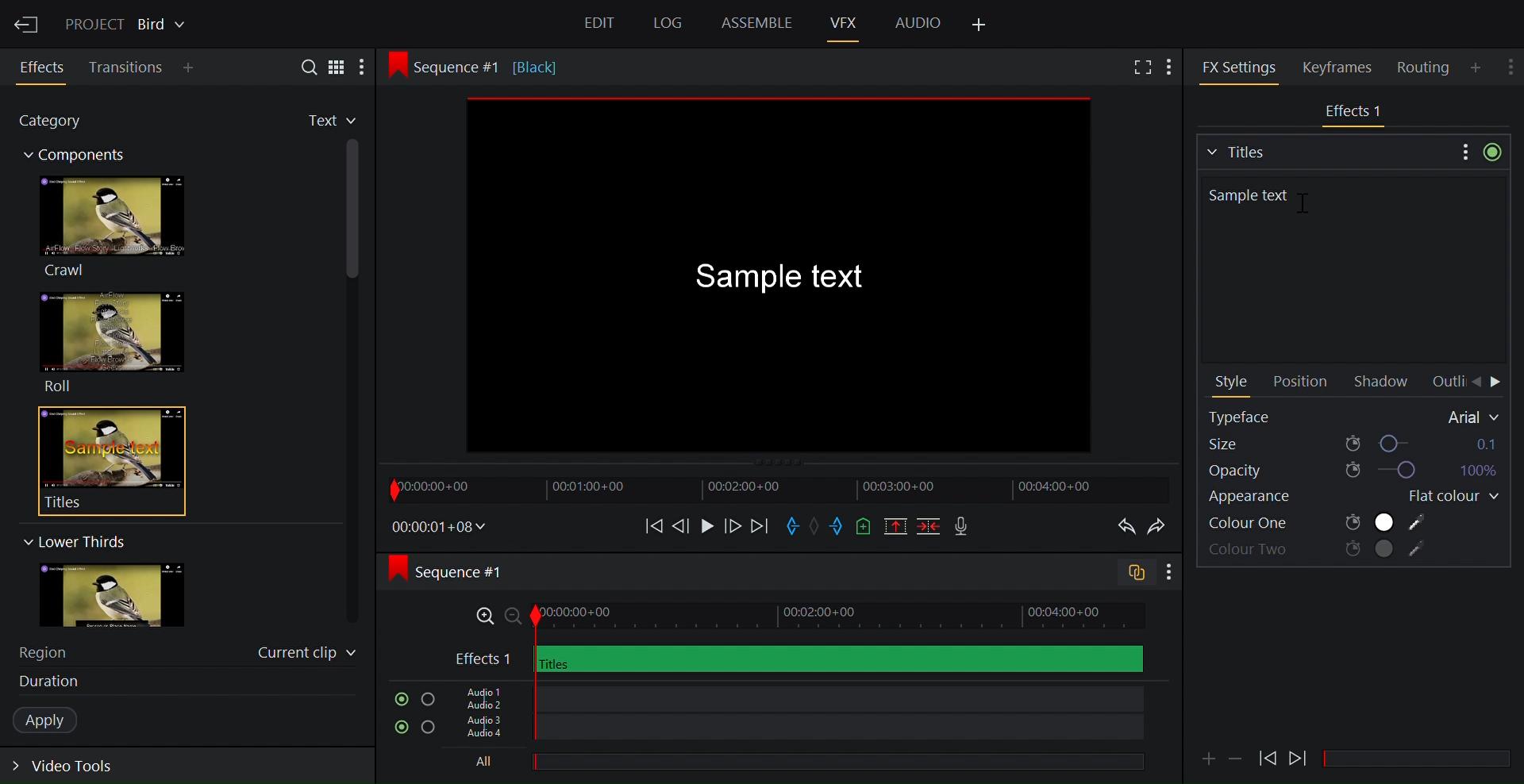 This screenshot has width=1524, height=784. What do you see at coordinates (795, 525) in the screenshot?
I see `Mark in` at bounding box center [795, 525].